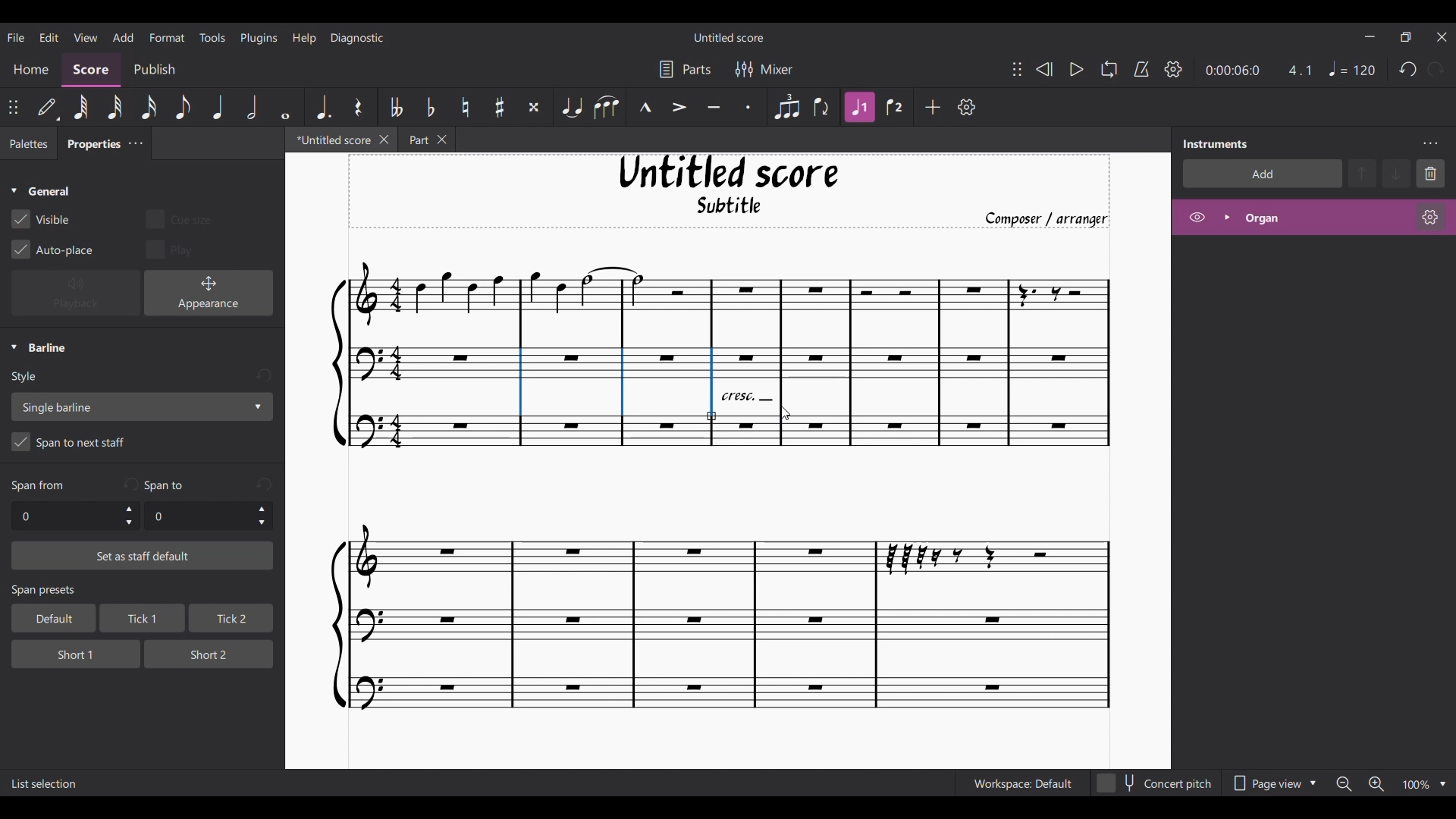 The width and height of the screenshot is (1456, 819). Describe the element at coordinates (259, 37) in the screenshot. I see `Plugins menu` at that location.